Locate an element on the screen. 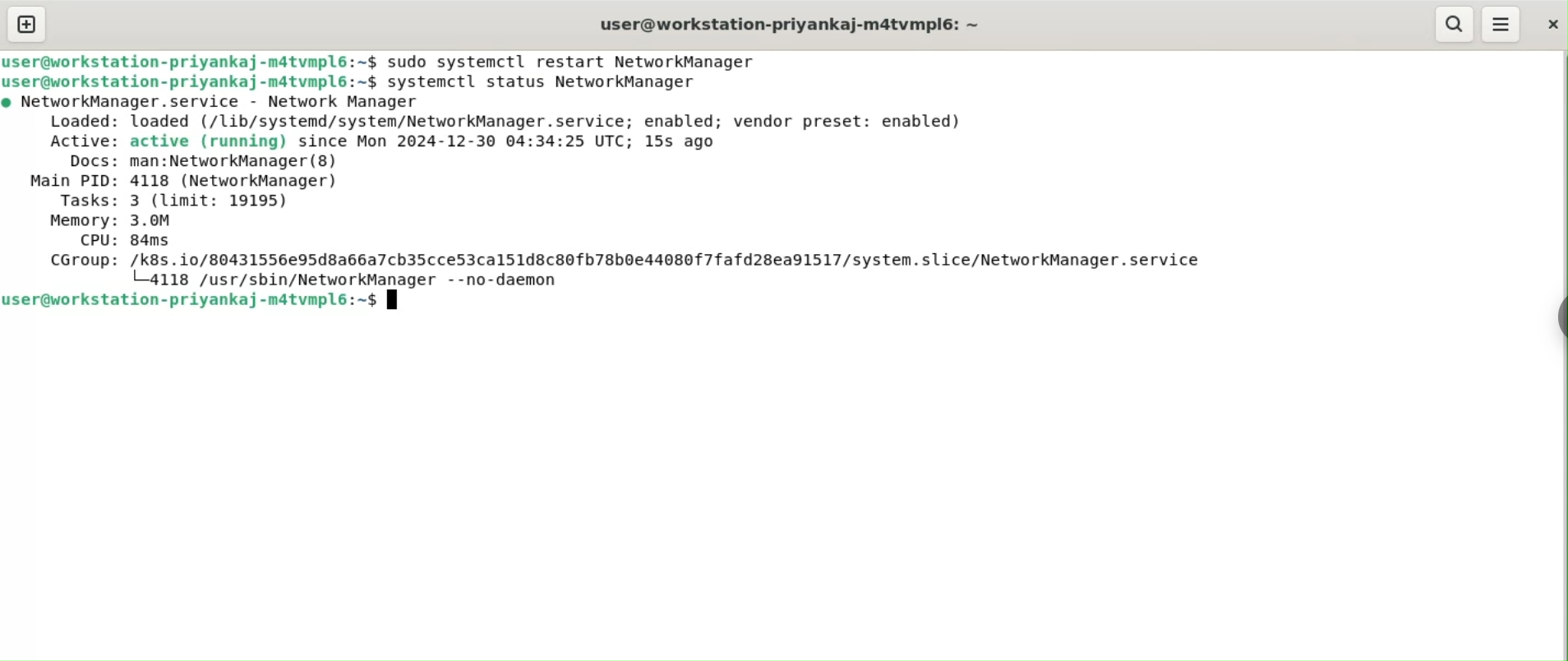  terminal cursor is located at coordinates (391, 299).